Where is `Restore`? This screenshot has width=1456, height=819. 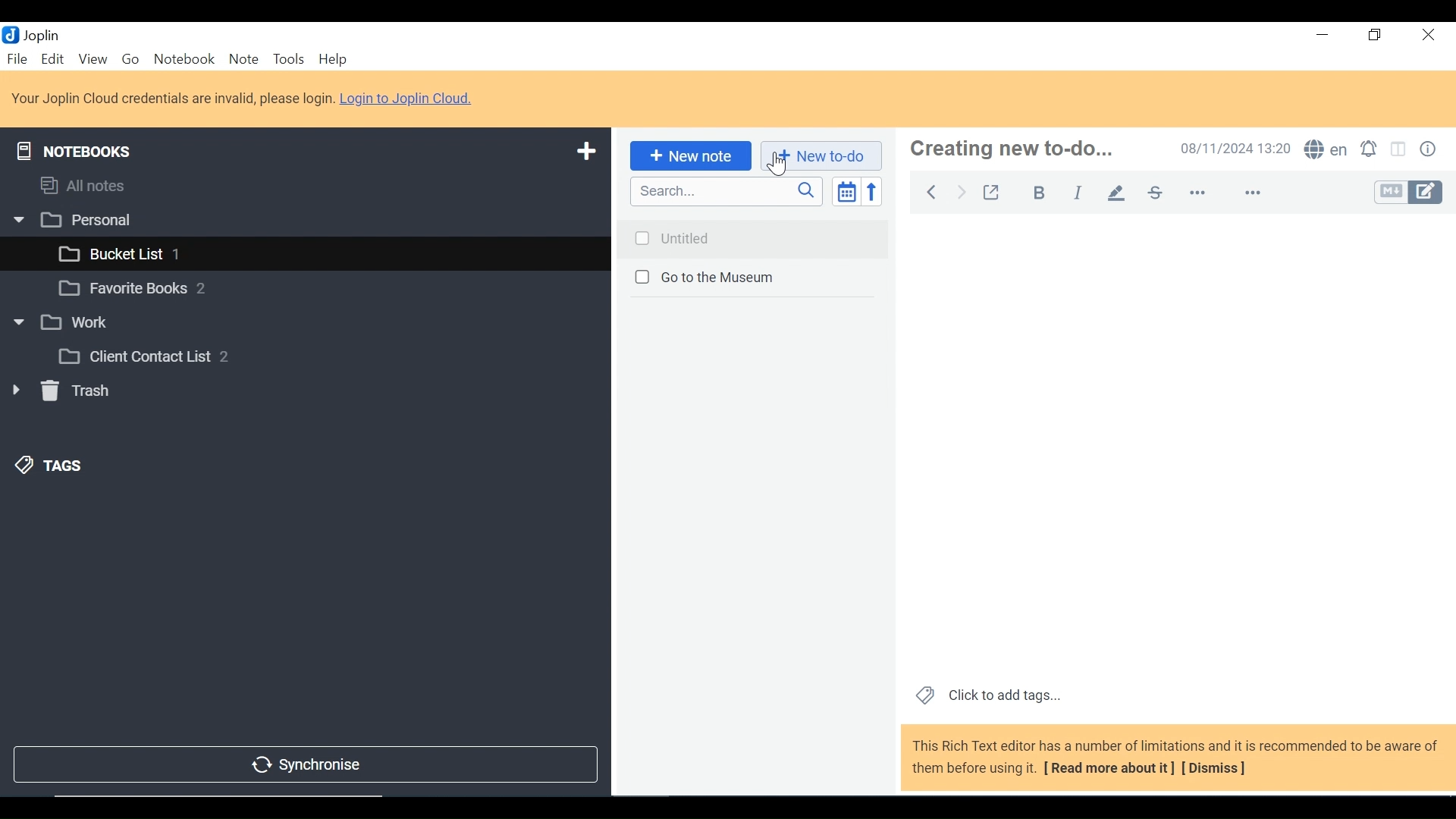
Restore is located at coordinates (1375, 37).